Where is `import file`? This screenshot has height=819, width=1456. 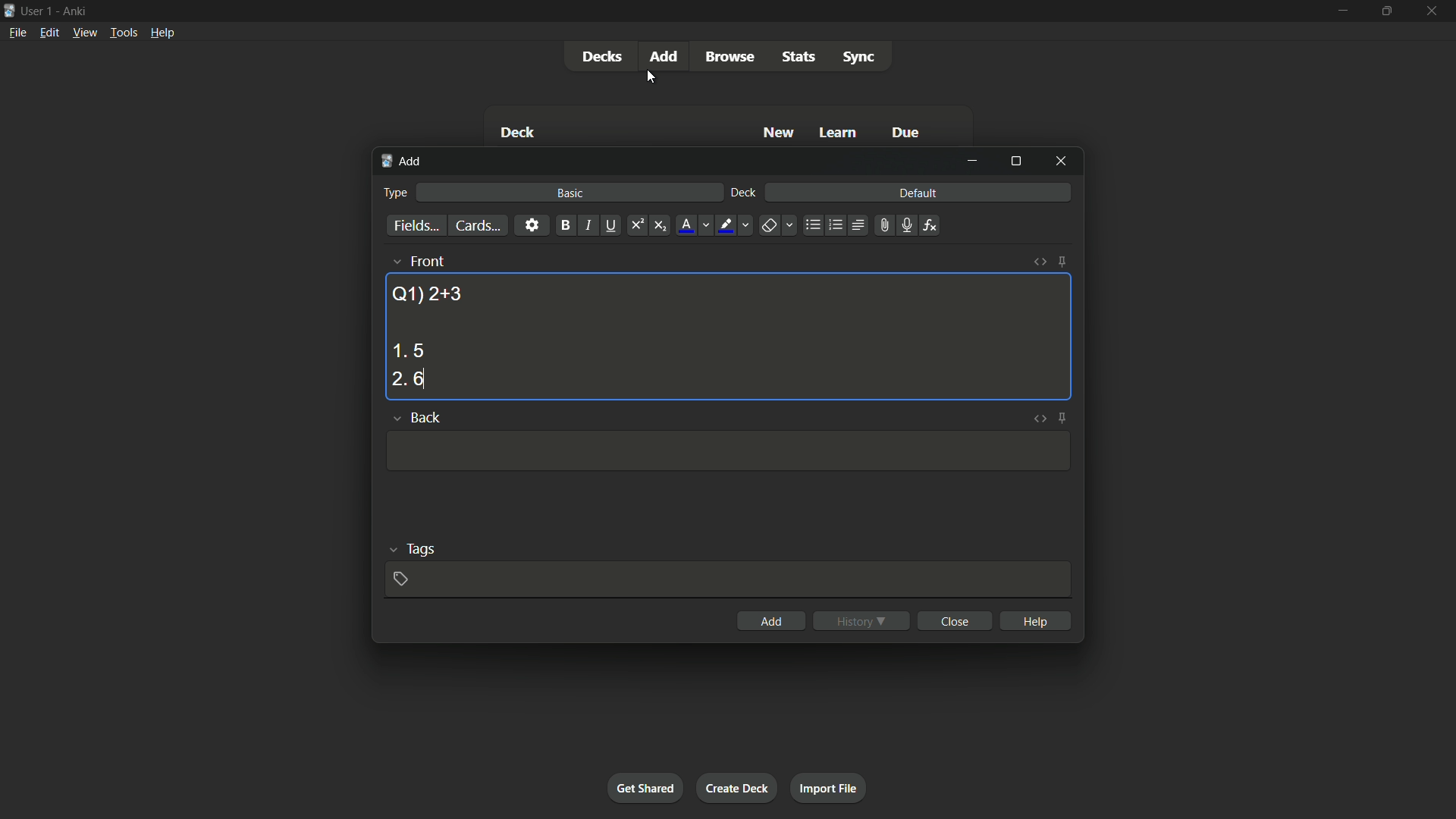 import file is located at coordinates (827, 786).